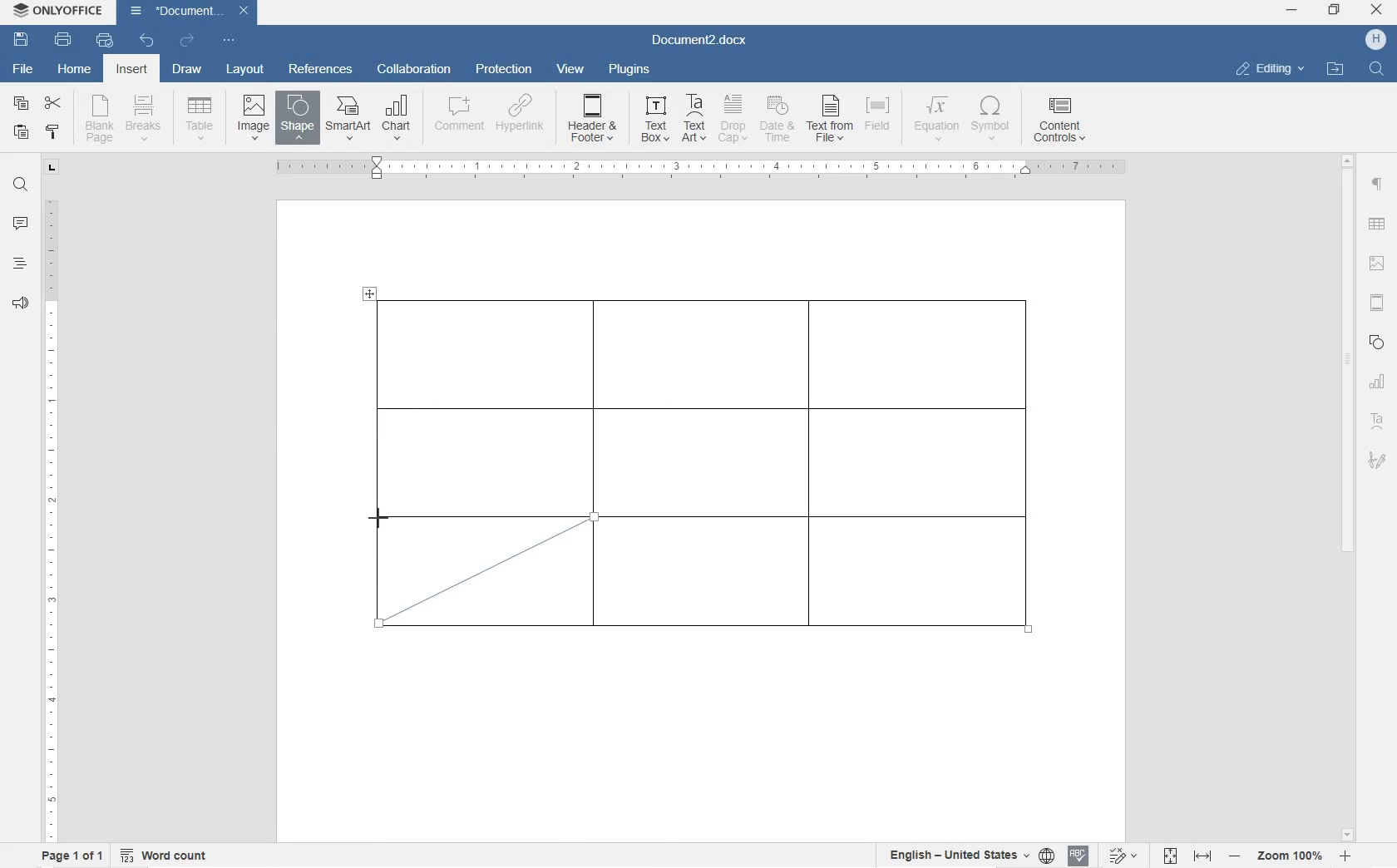 The height and width of the screenshot is (868, 1397). What do you see at coordinates (131, 70) in the screenshot?
I see `insert` at bounding box center [131, 70].